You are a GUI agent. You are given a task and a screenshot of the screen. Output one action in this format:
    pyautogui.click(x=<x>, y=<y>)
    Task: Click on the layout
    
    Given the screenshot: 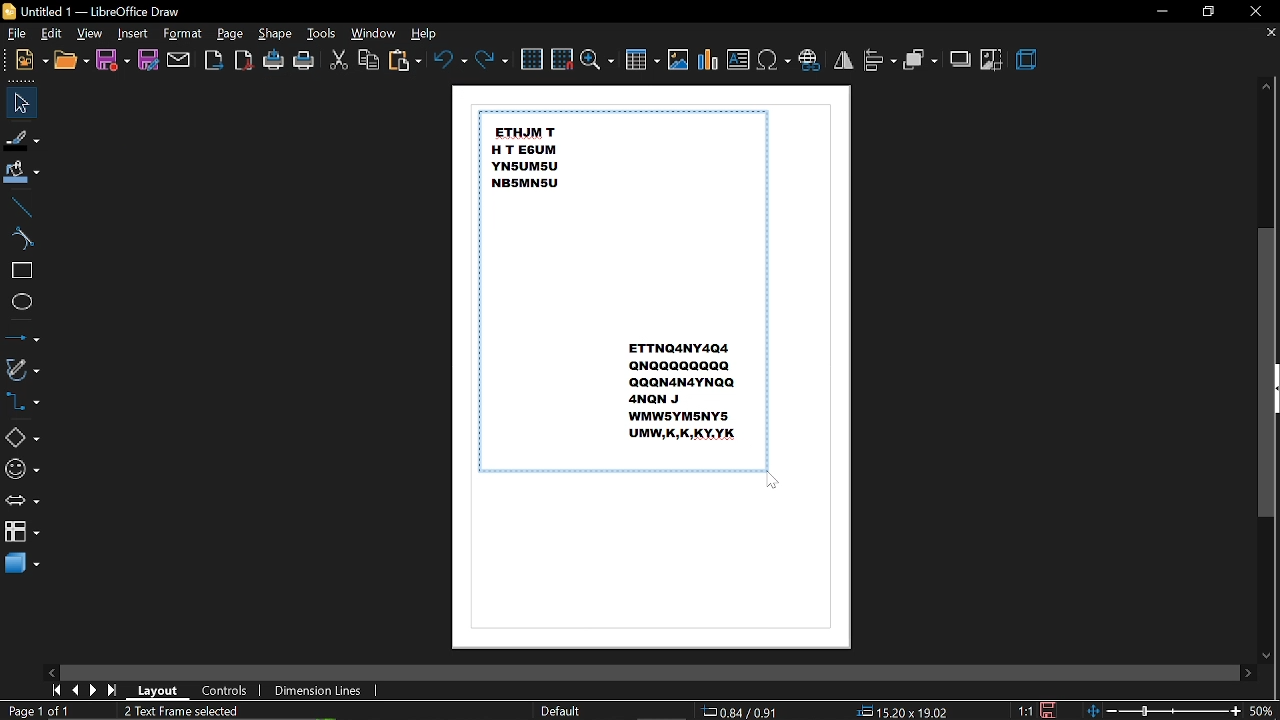 What is the action you would take?
    pyautogui.click(x=161, y=691)
    